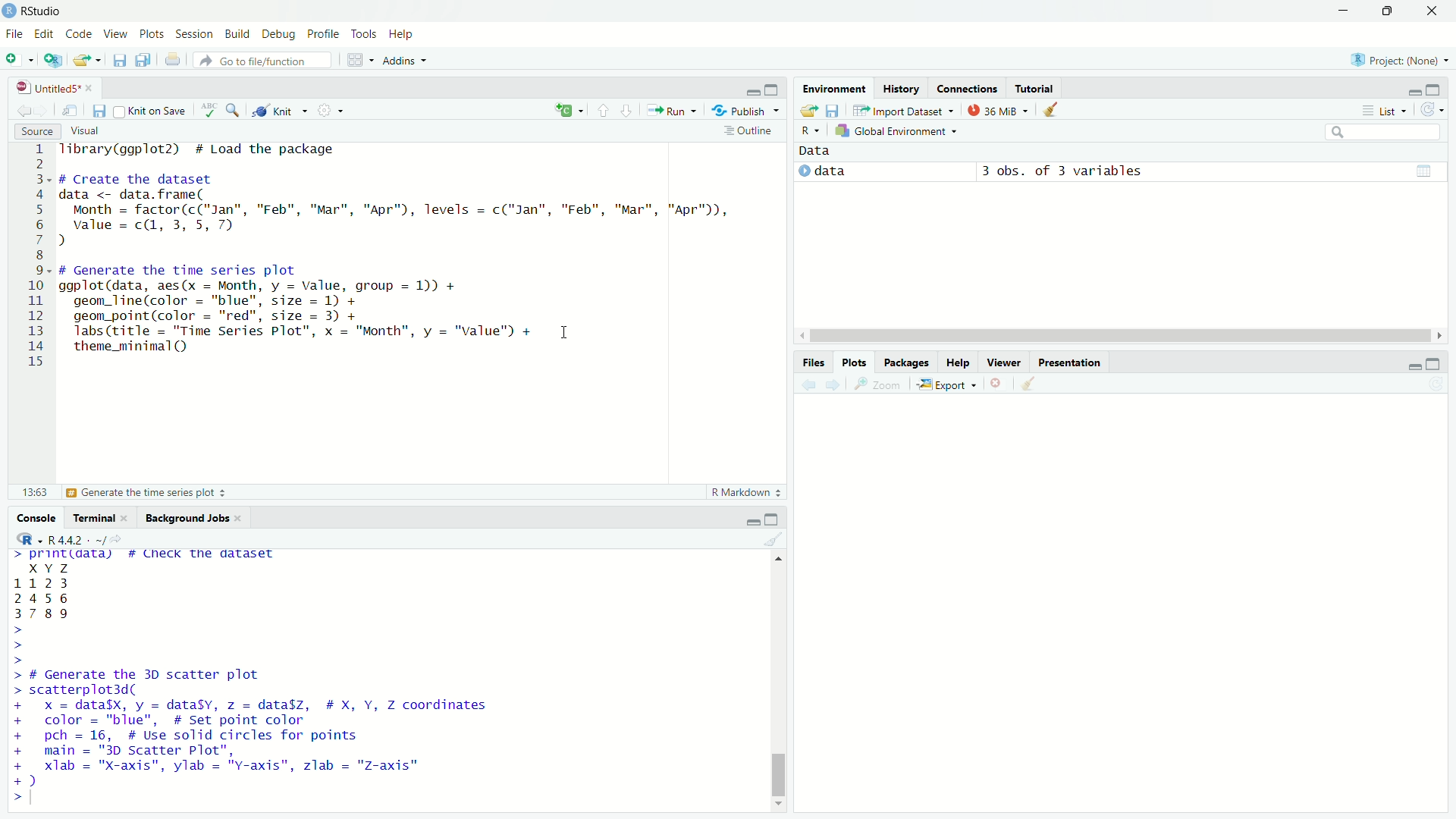 The width and height of the screenshot is (1456, 819). What do you see at coordinates (996, 384) in the screenshot?
I see `remove the current plot` at bounding box center [996, 384].